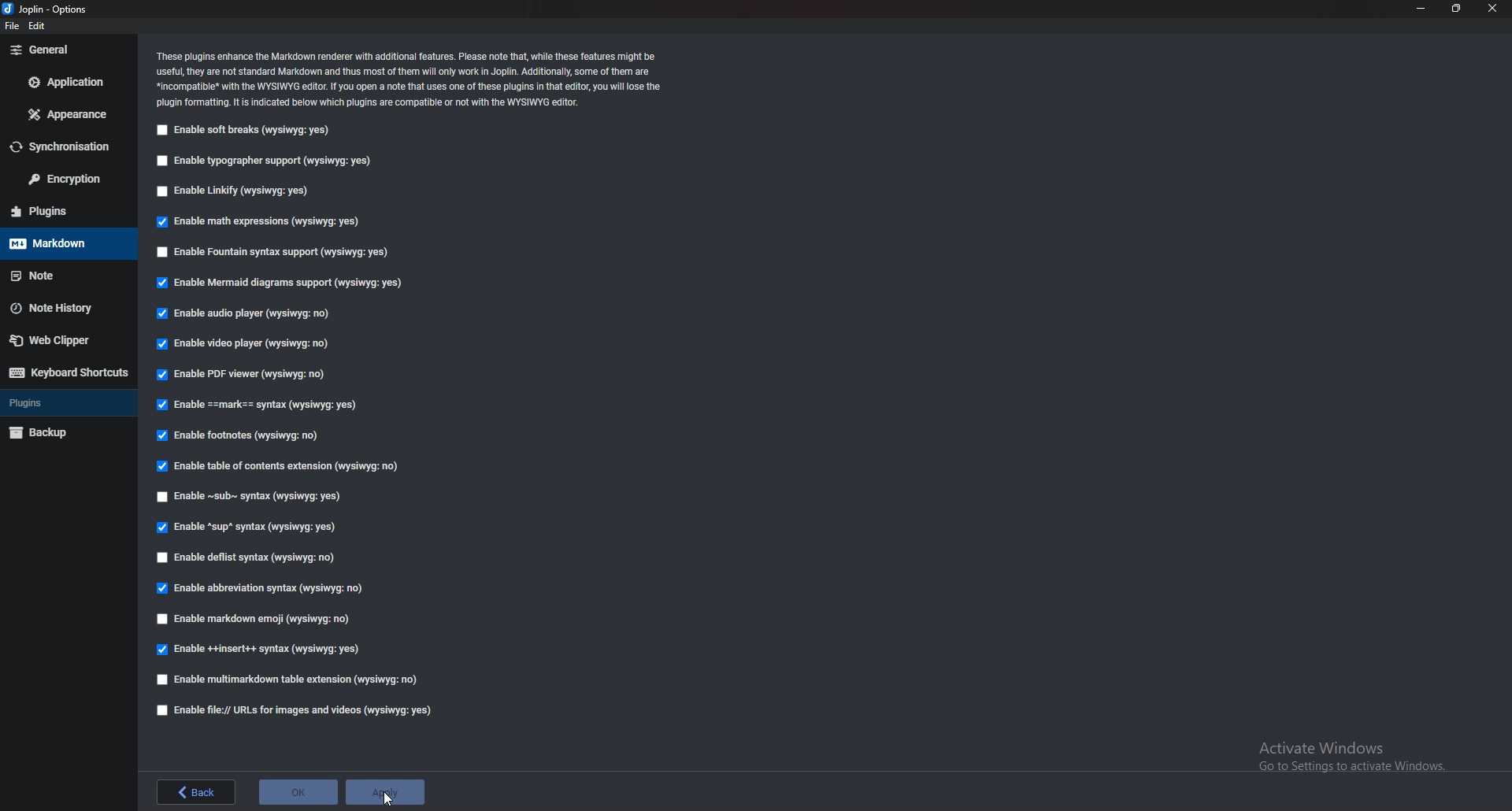  What do you see at coordinates (68, 179) in the screenshot?
I see `encryption` at bounding box center [68, 179].